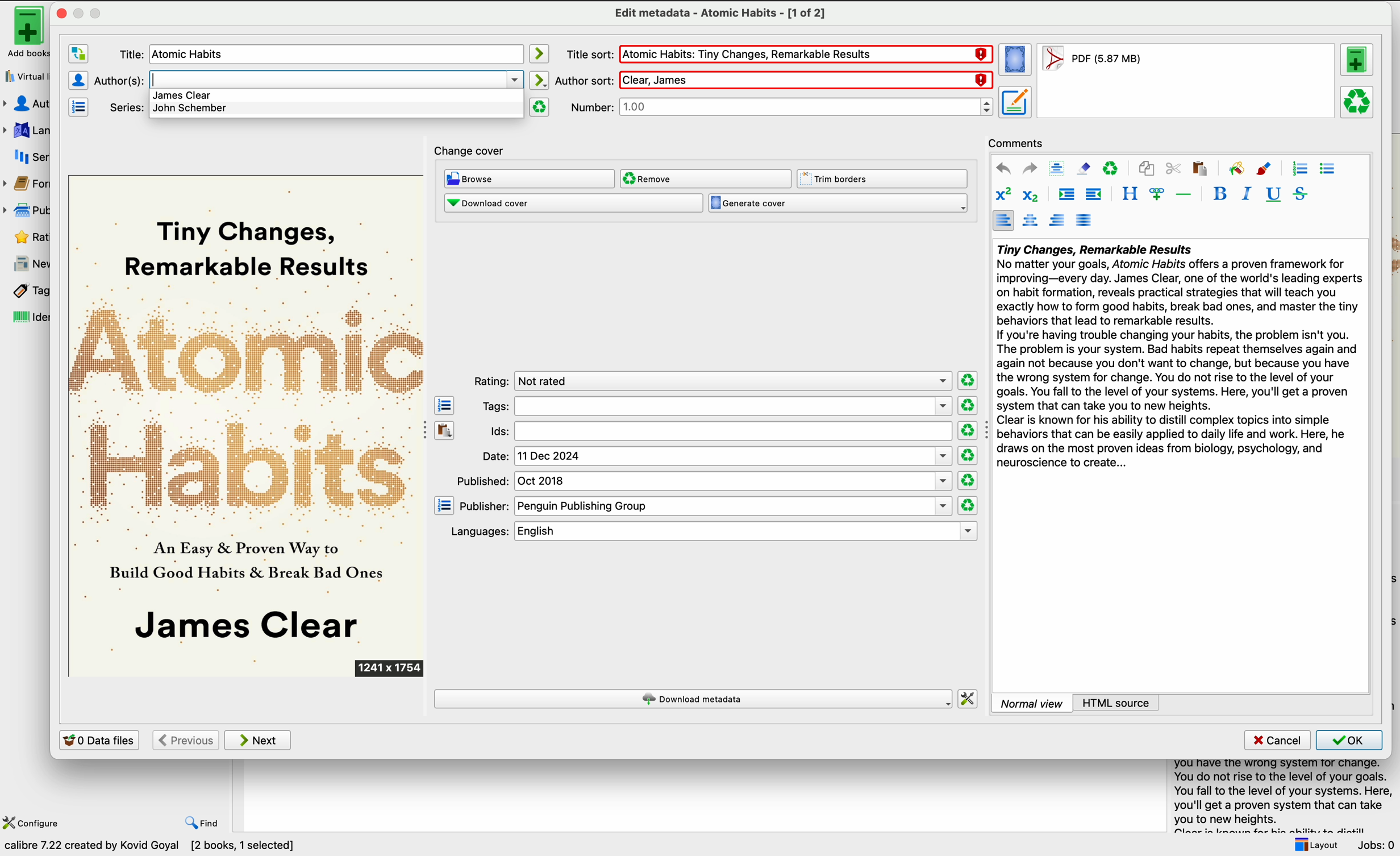 This screenshot has width=1400, height=856. Describe the element at coordinates (78, 55) in the screenshot. I see `swap the author and title` at that location.